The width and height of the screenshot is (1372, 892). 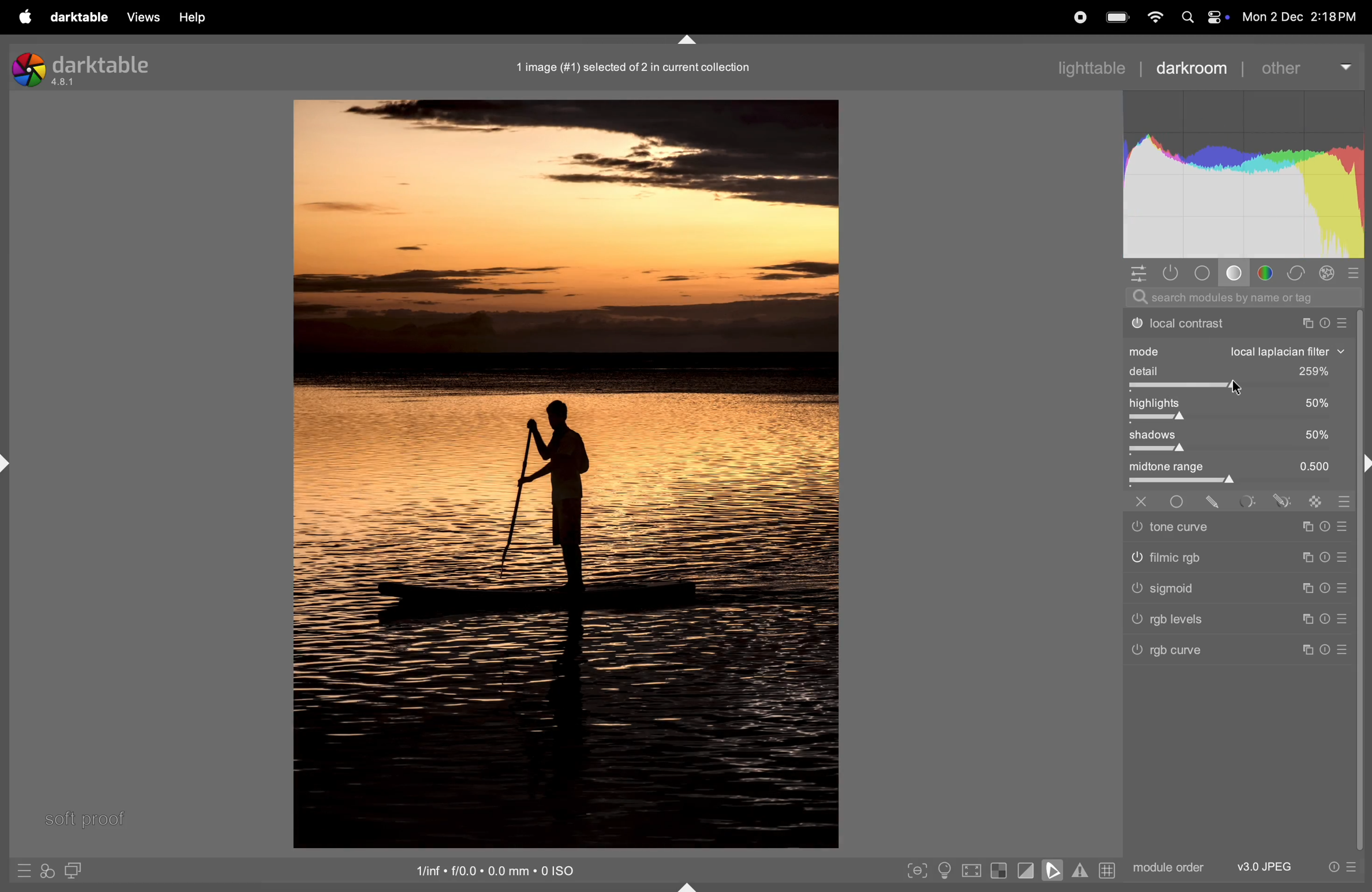 I want to click on sign, so click(x=1250, y=502).